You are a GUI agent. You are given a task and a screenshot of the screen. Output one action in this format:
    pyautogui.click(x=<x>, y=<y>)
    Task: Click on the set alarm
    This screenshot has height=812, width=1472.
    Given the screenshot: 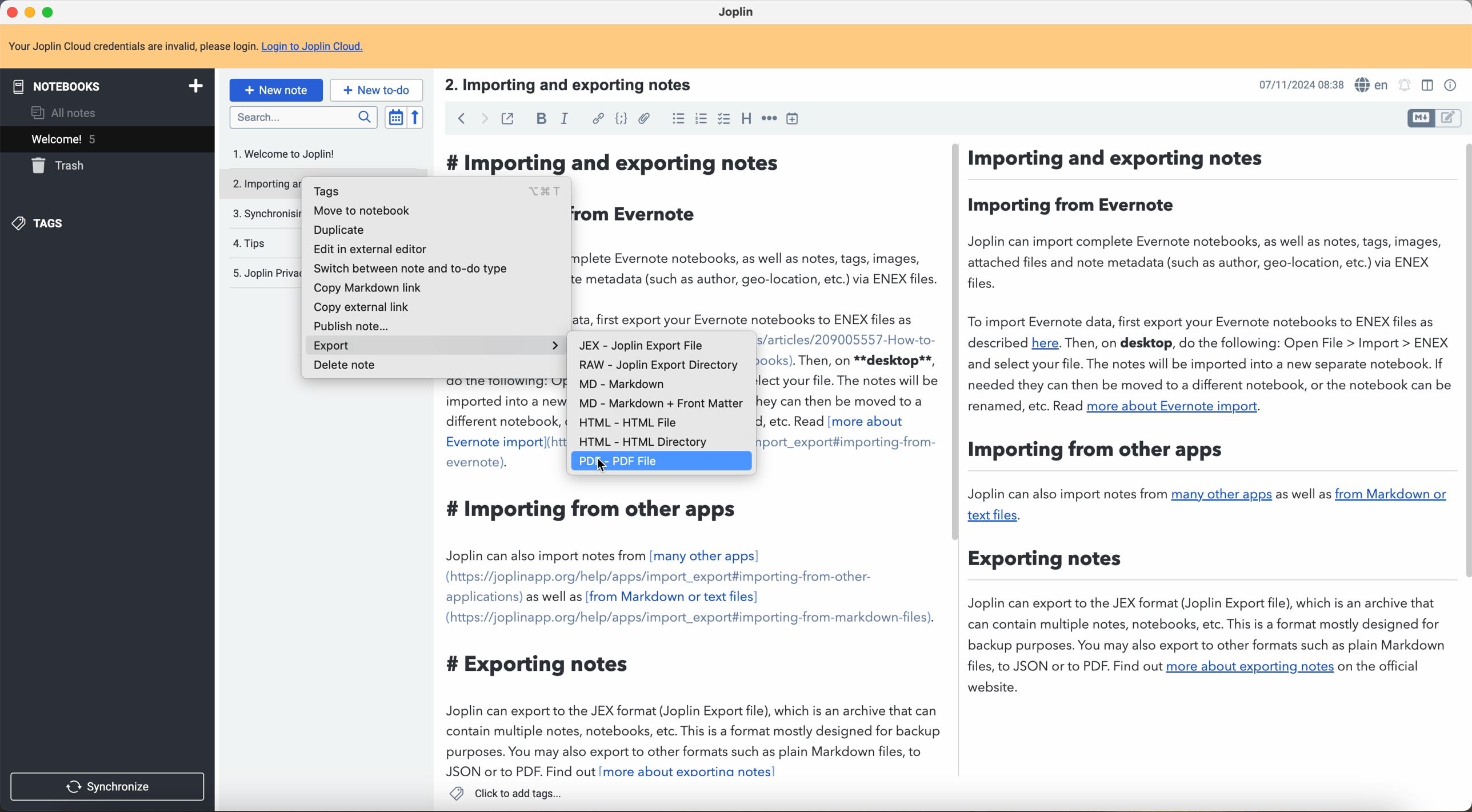 What is the action you would take?
    pyautogui.click(x=1407, y=86)
    